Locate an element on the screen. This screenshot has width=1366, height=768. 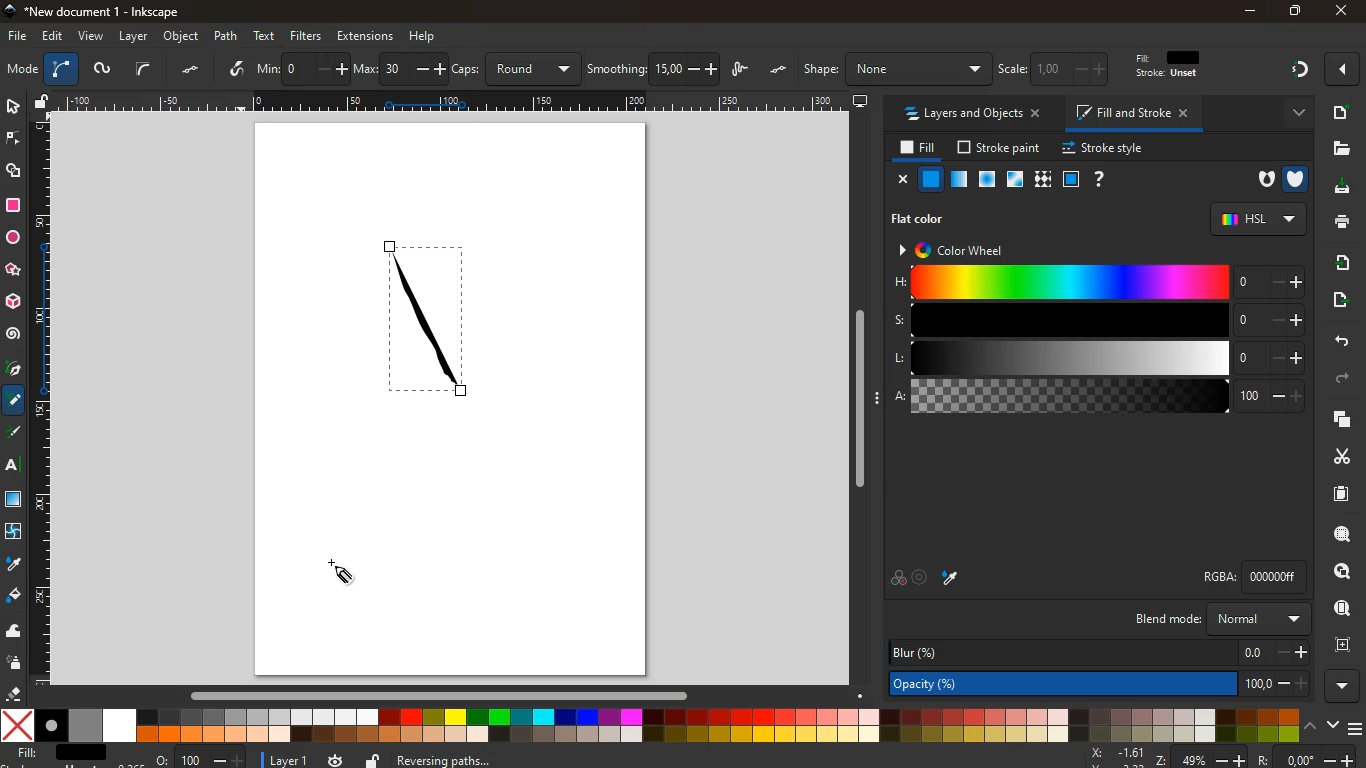
fill and stroke is located at coordinates (1135, 112).